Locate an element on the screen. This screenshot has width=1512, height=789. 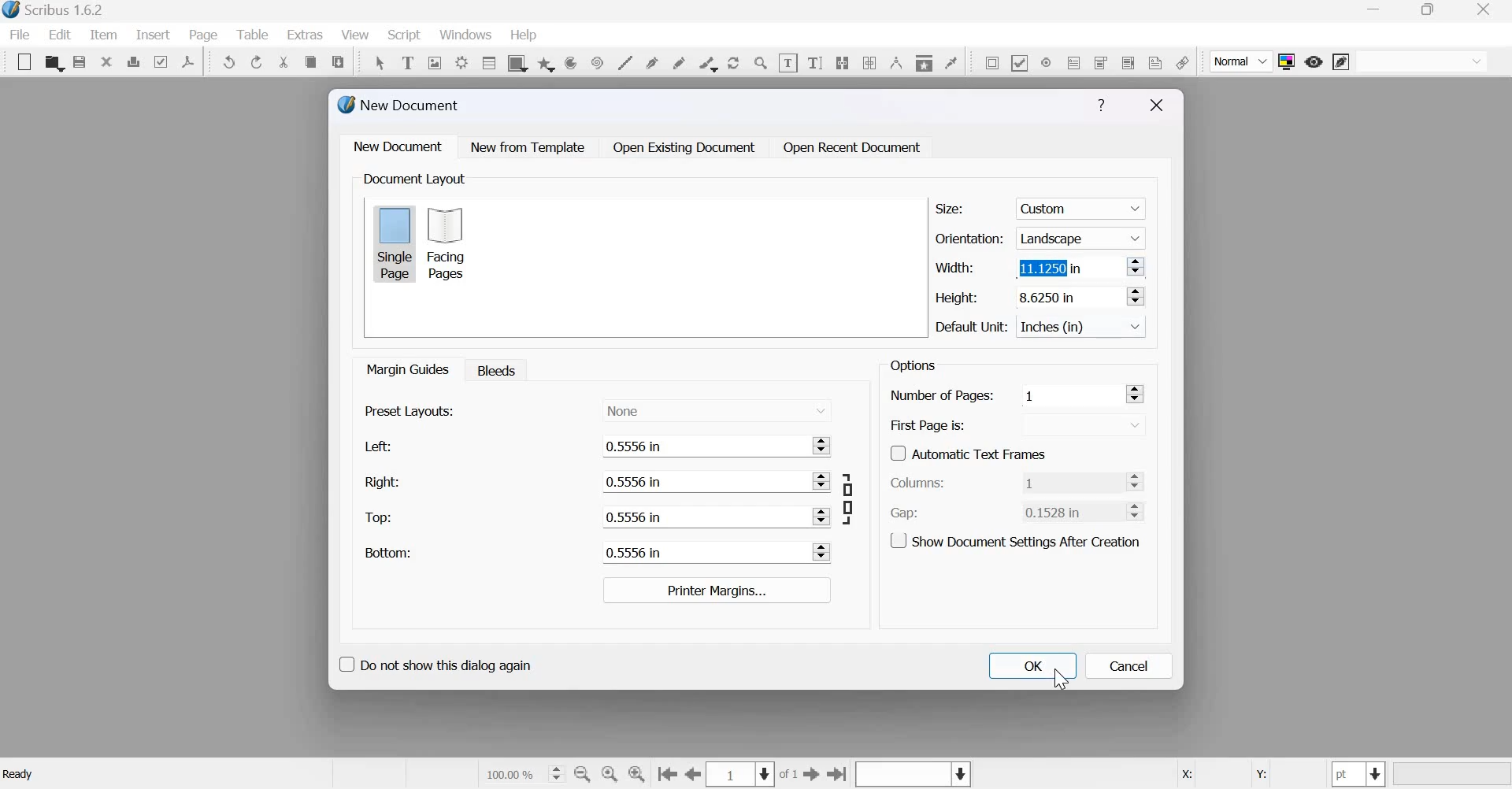
Size:  is located at coordinates (950, 209).